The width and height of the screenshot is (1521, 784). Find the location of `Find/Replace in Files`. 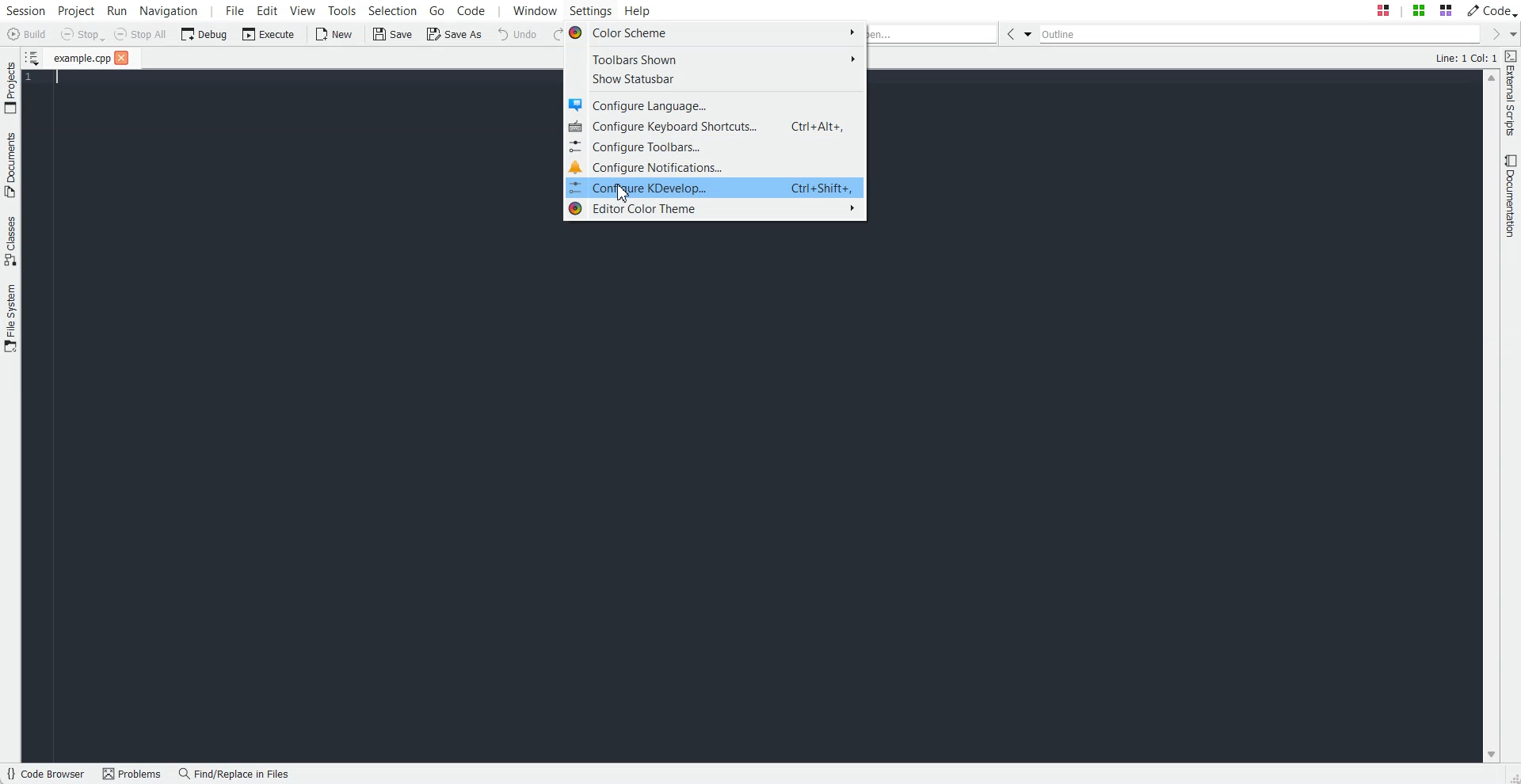

Find/Replace in Files is located at coordinates (235, 774).